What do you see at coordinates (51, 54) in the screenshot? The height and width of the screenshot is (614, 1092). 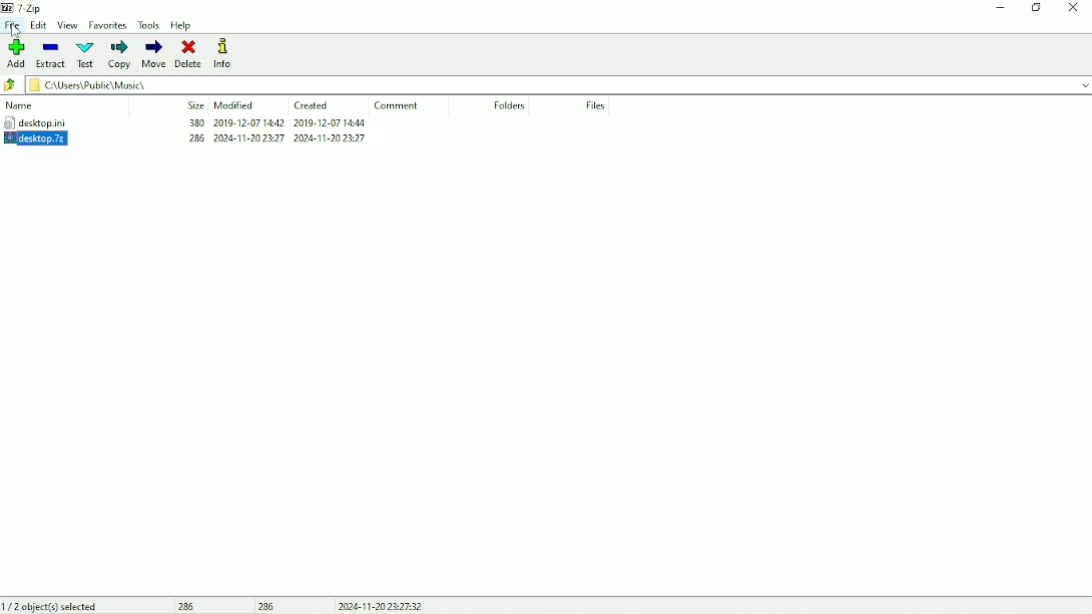 I see `Extract` at bounding box center [51, 54].